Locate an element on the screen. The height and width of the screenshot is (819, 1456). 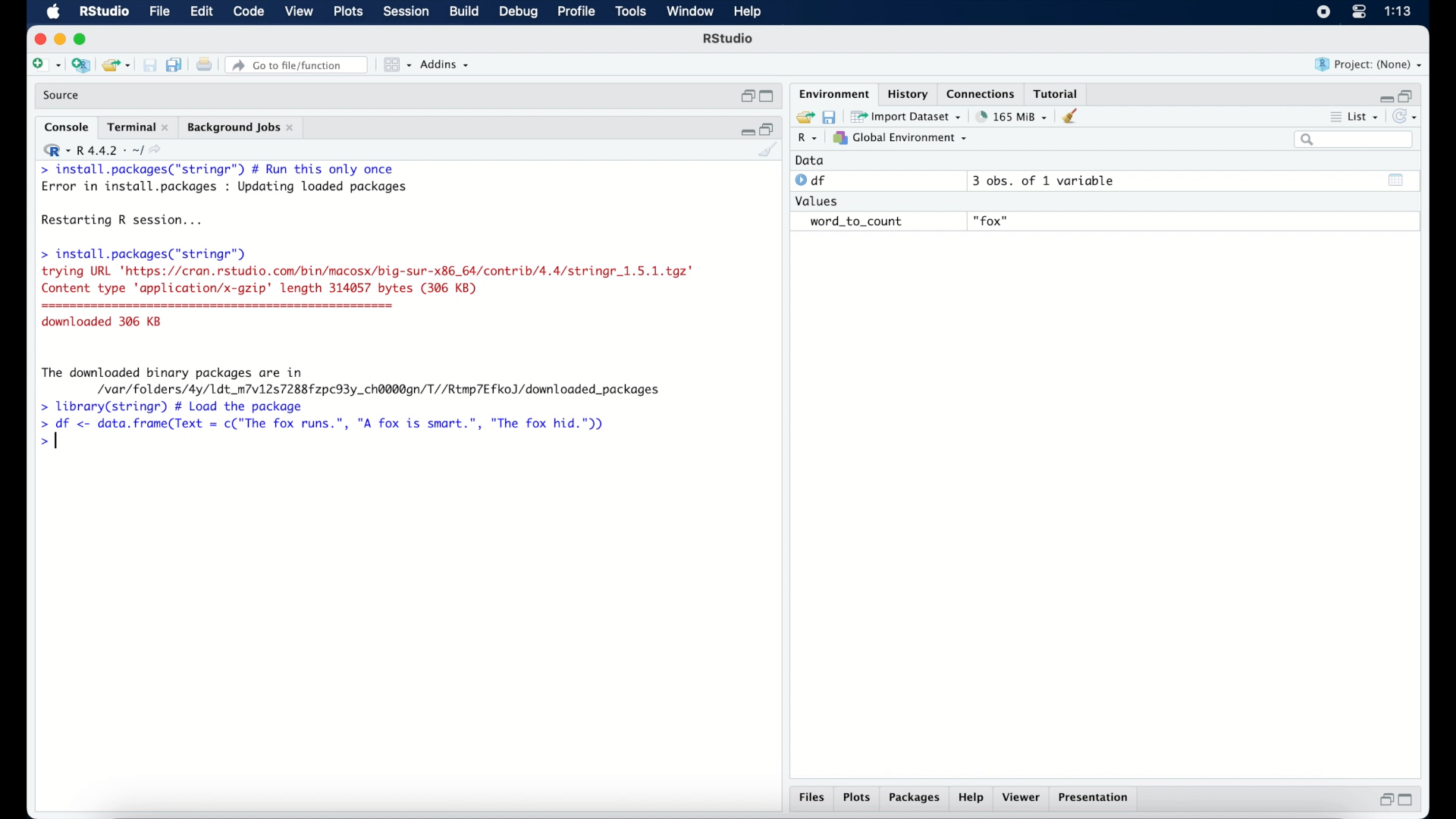
R studio is located at coordinates (728, 39).